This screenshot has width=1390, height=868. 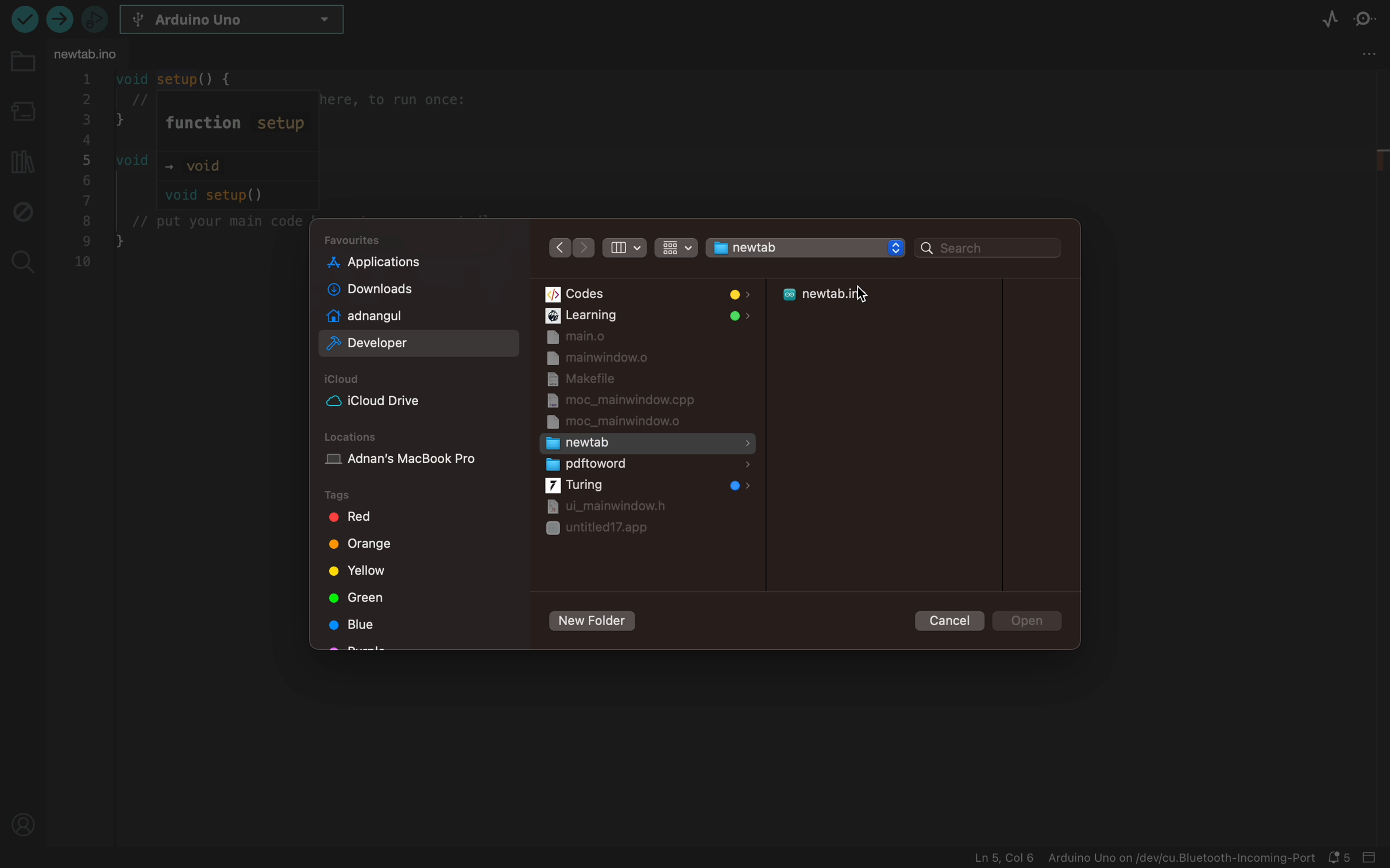 What do you see at coordinates (23, 18) in the screenshot?
I see `upload` at bounding box center [23, 18].